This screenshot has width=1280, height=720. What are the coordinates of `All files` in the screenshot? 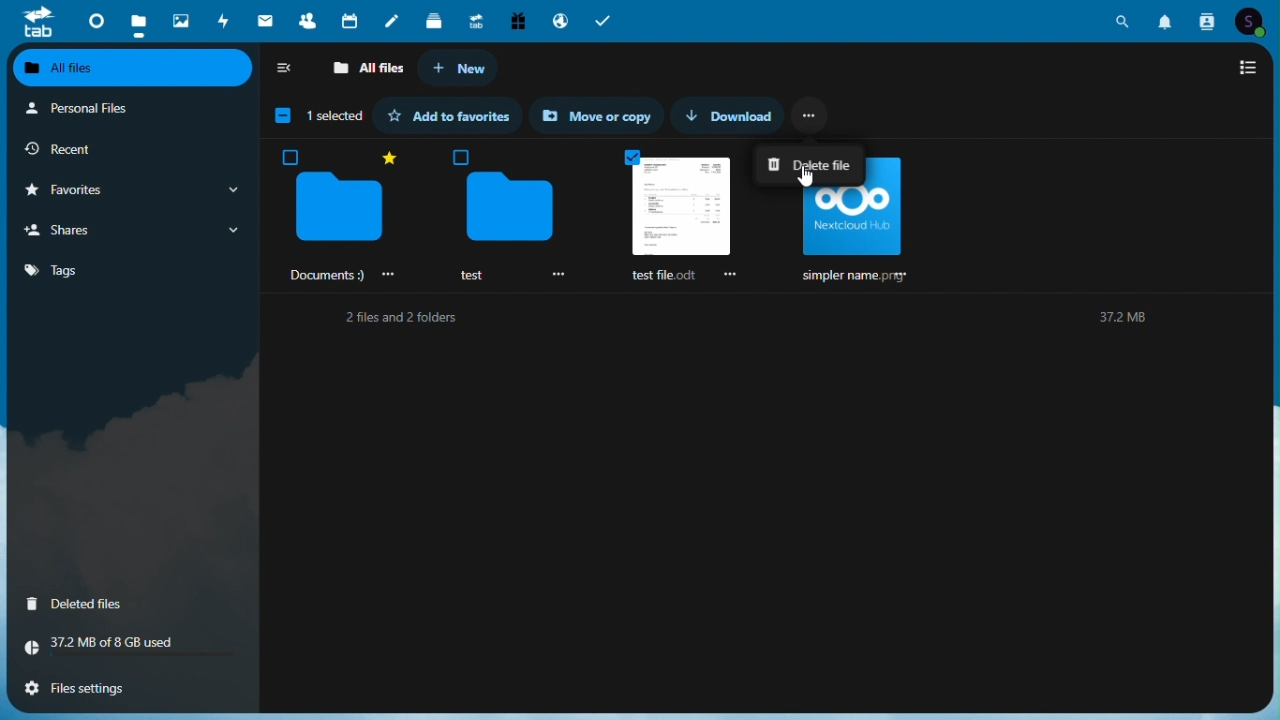 It's located at (131, 68).